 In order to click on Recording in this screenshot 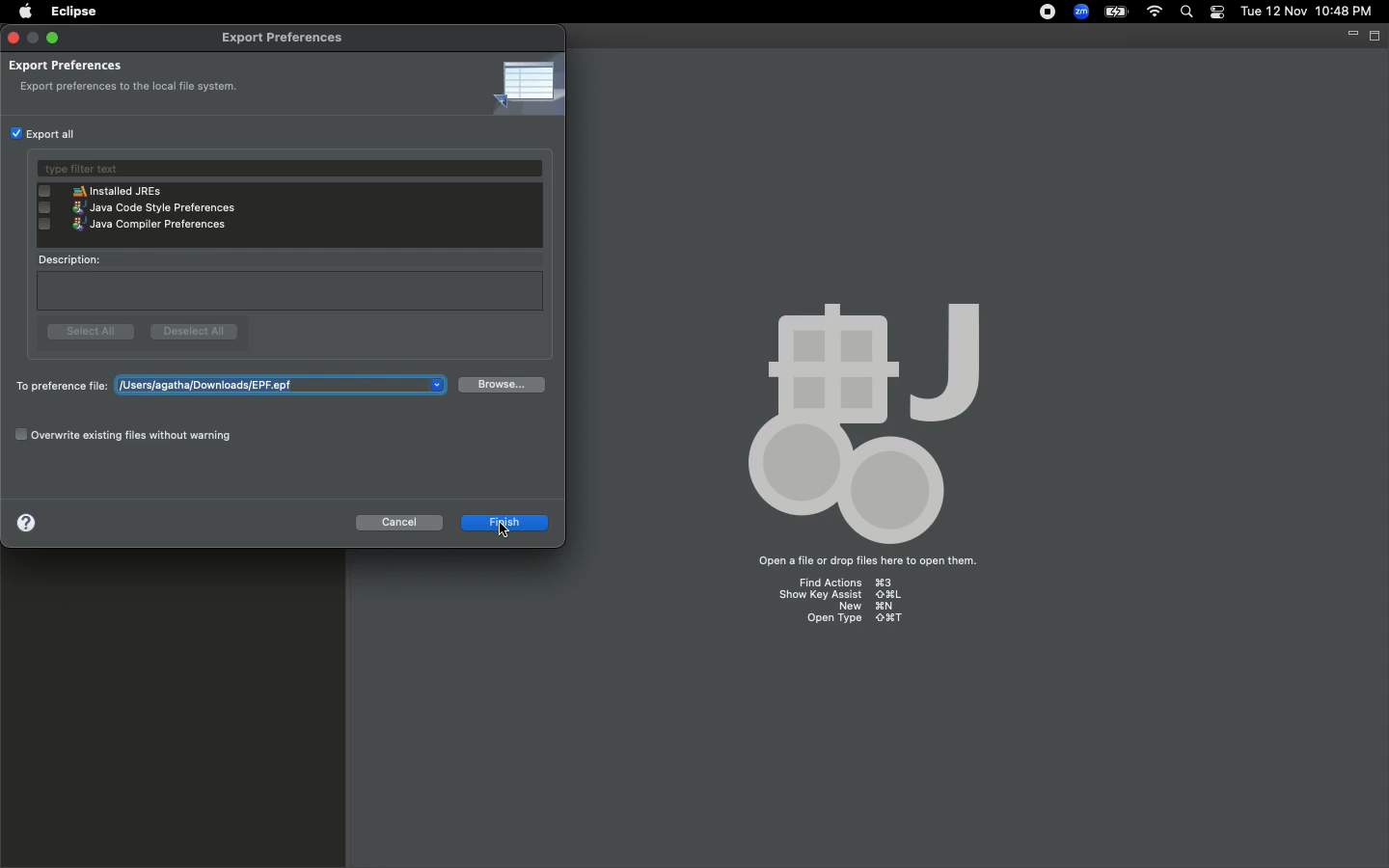, I will do `click(1049, 14)`.